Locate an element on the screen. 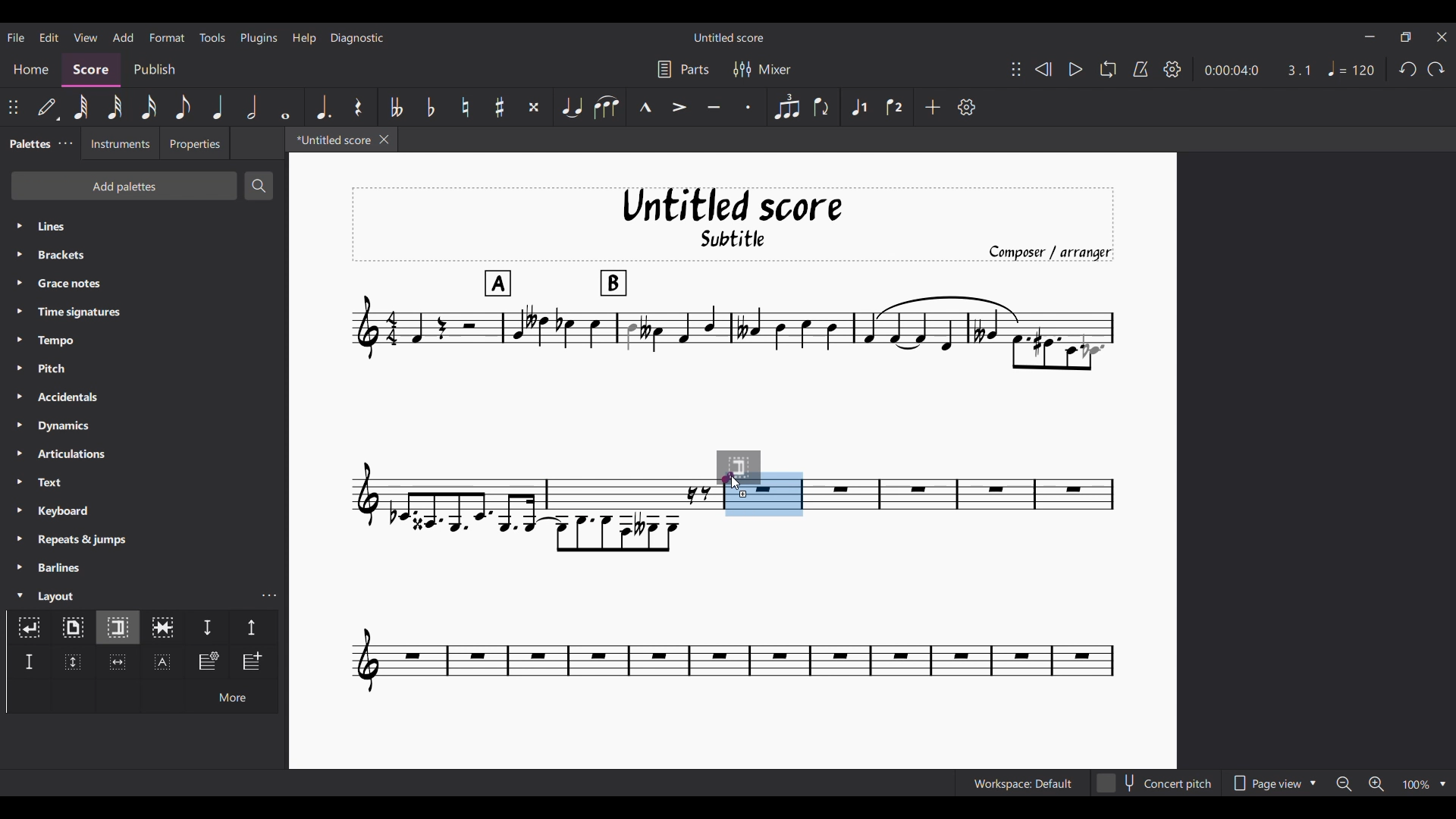  Tie is located at coordinates (571, 106).